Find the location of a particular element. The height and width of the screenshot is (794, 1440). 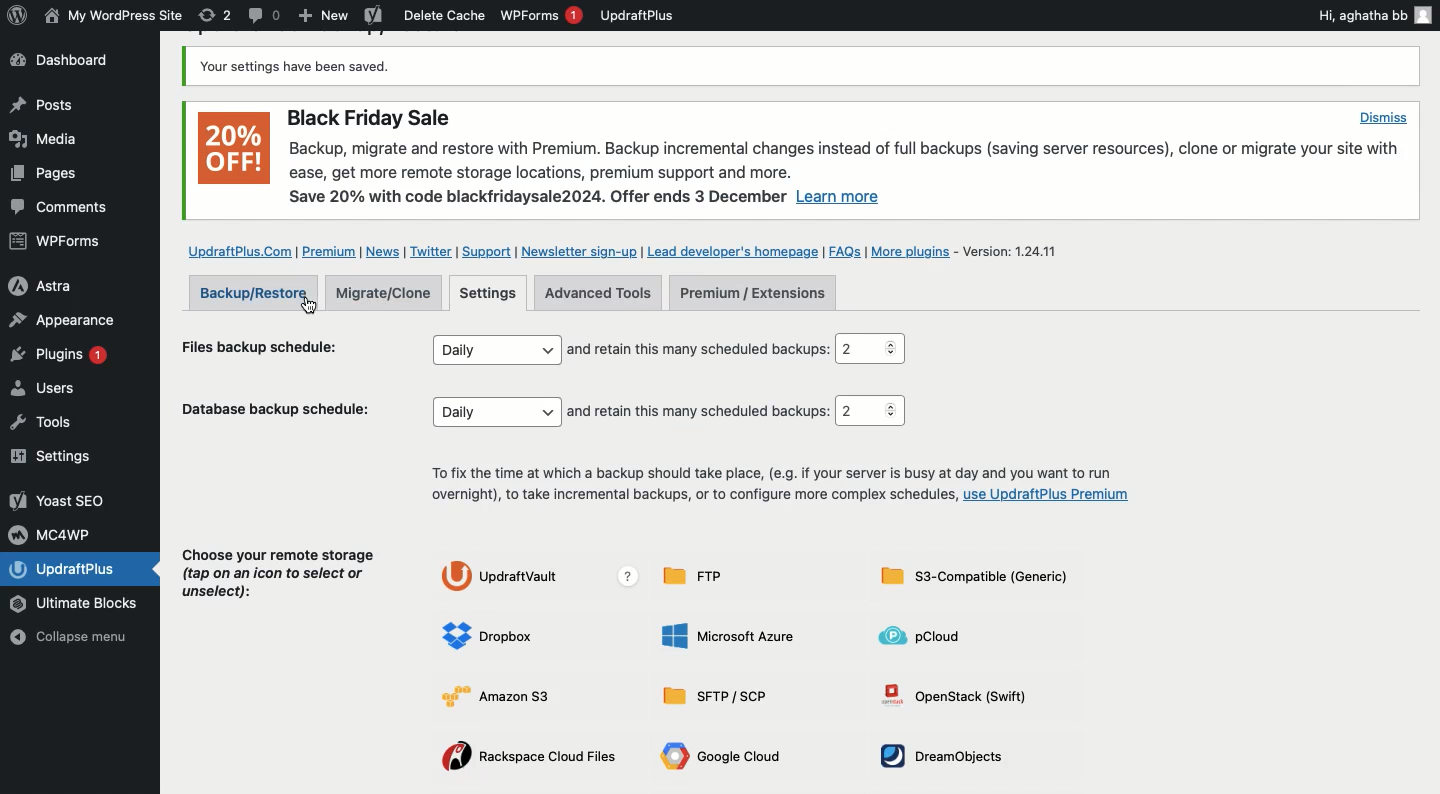

Support is located at coordinates (485, 251).